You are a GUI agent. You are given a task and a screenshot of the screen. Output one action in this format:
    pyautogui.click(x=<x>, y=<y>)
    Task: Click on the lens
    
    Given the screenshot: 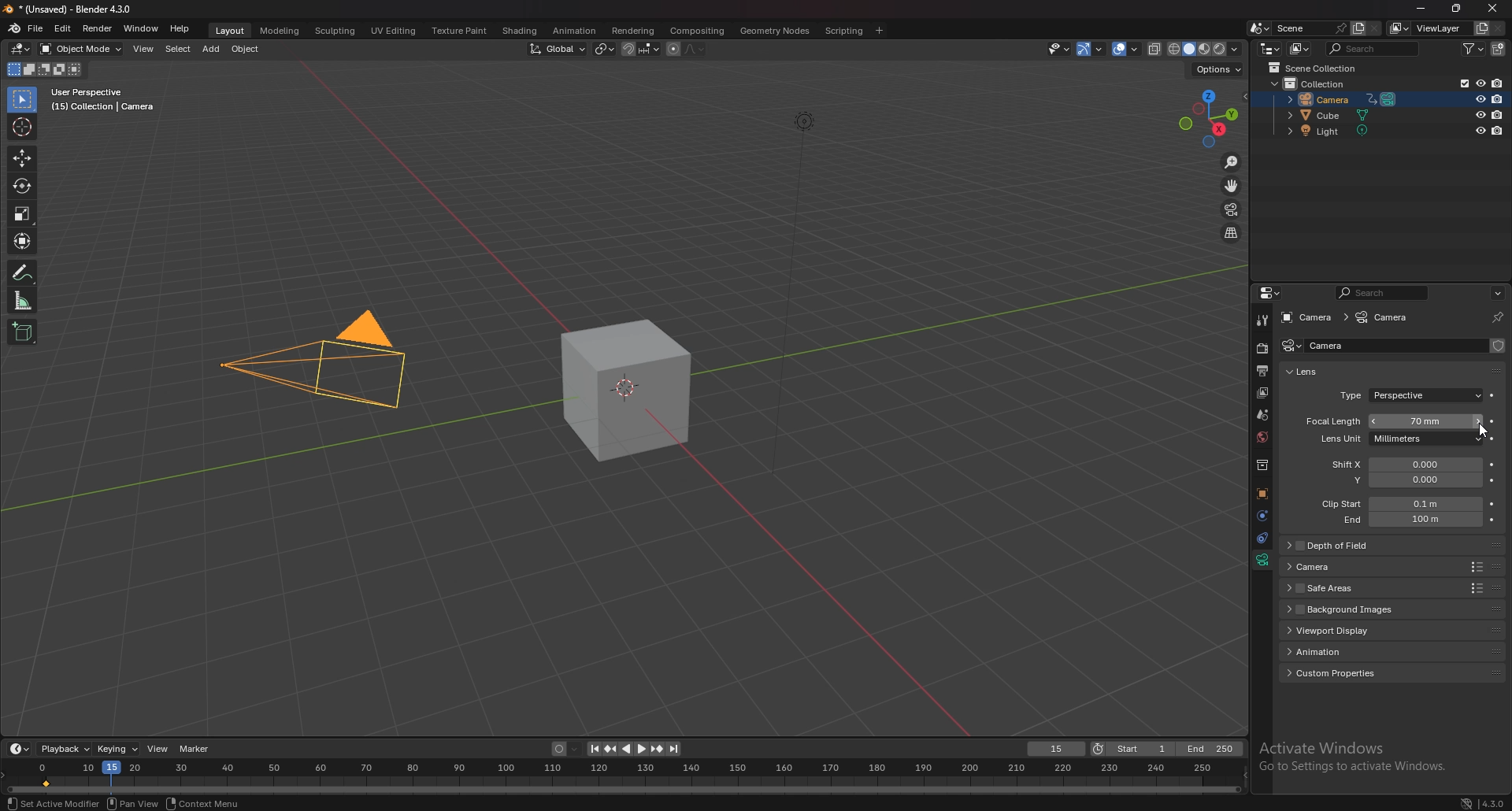 What is the action you would take?
    pyautogui.click(x=1312, y=372)
    